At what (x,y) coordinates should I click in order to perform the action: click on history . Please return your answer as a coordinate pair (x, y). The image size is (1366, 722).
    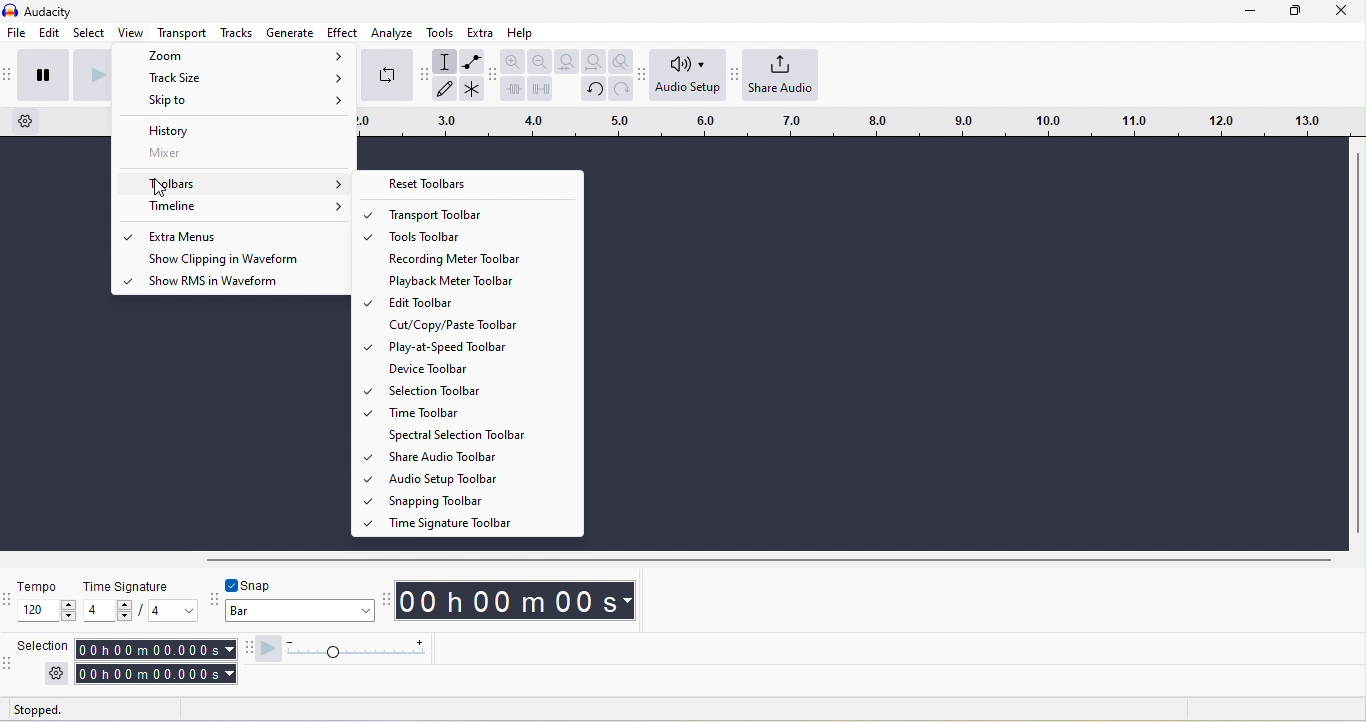
    Looking at the image, I should click on (234, 128).